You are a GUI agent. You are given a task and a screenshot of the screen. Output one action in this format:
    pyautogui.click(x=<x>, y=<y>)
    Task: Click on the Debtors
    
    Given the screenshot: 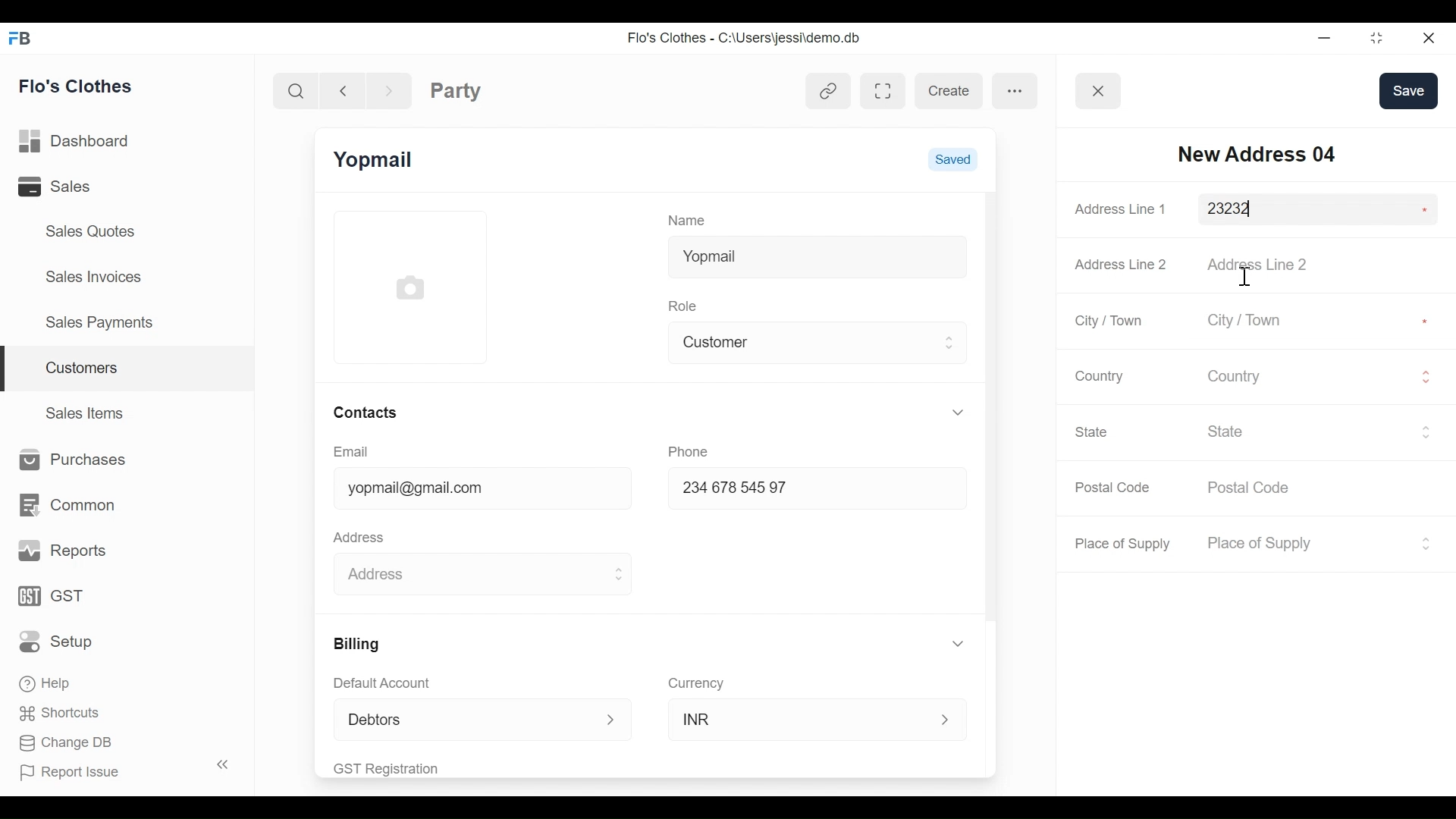 What is the action you would take?
    pyautogui.click(x=458, y=719)
    